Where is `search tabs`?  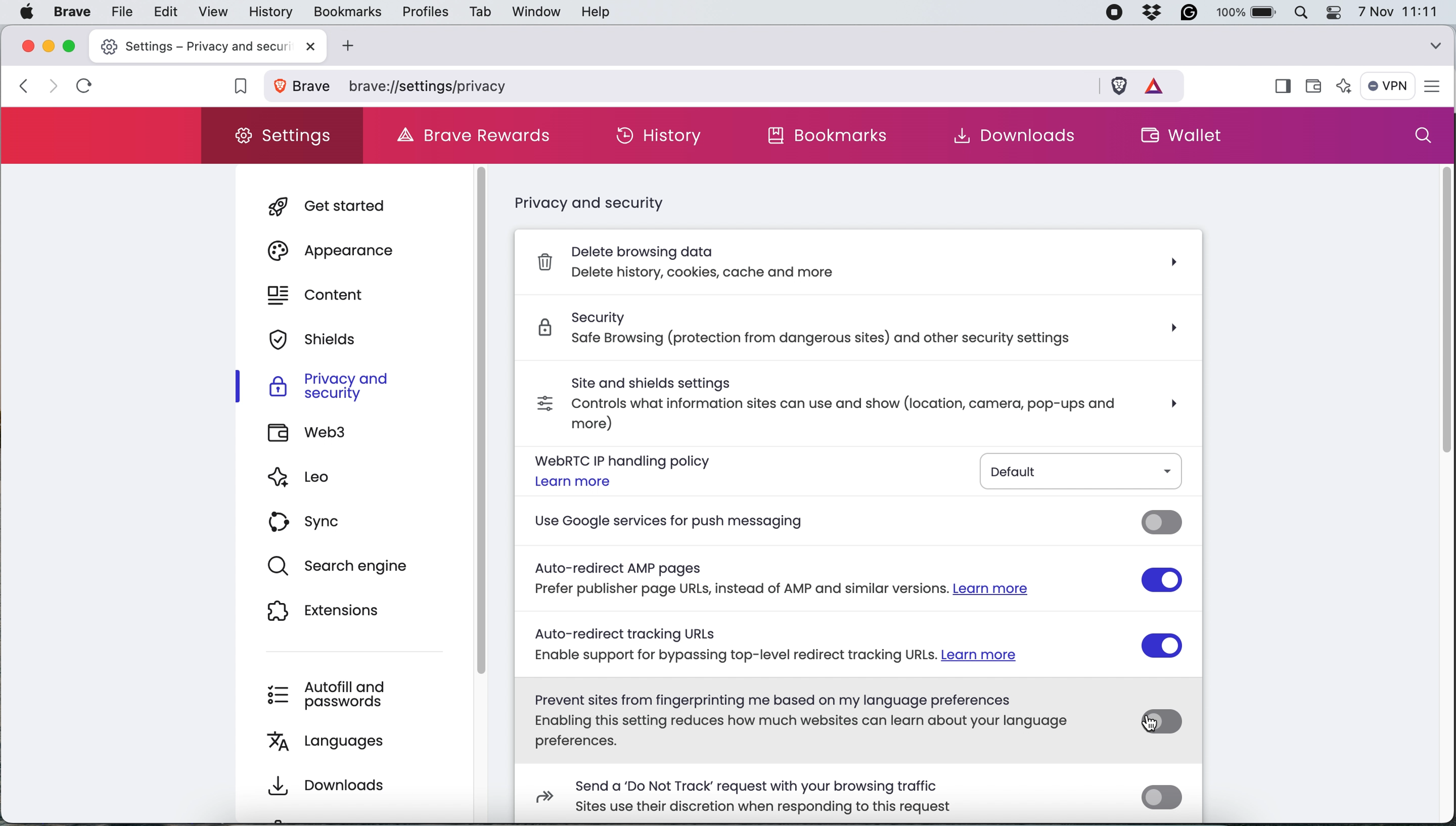 search tabs is located at coordinates (1436, 43).